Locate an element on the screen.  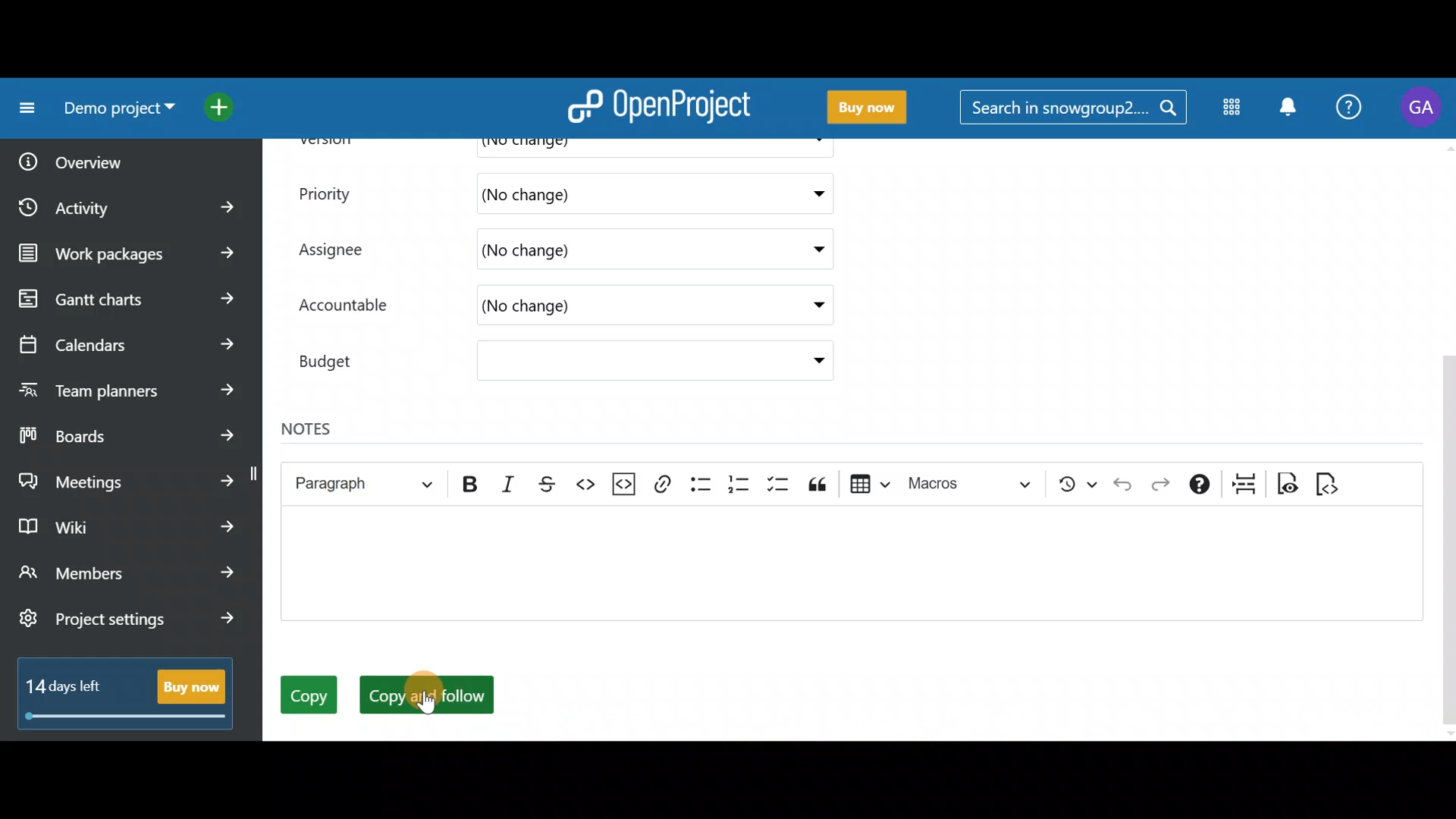
Work packages is located at coordinates (130, 253).